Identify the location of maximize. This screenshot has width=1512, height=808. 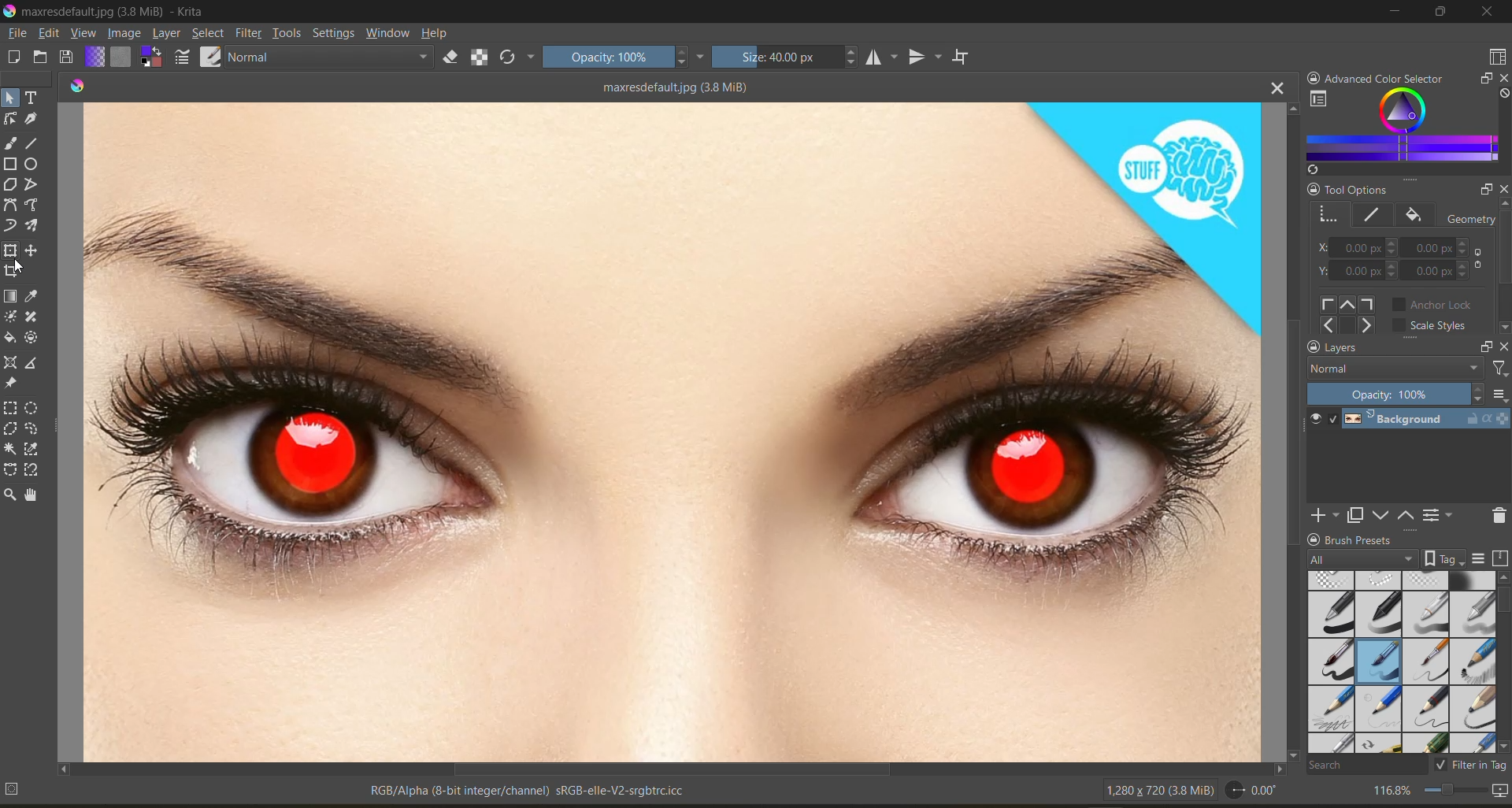
(1443, 13).